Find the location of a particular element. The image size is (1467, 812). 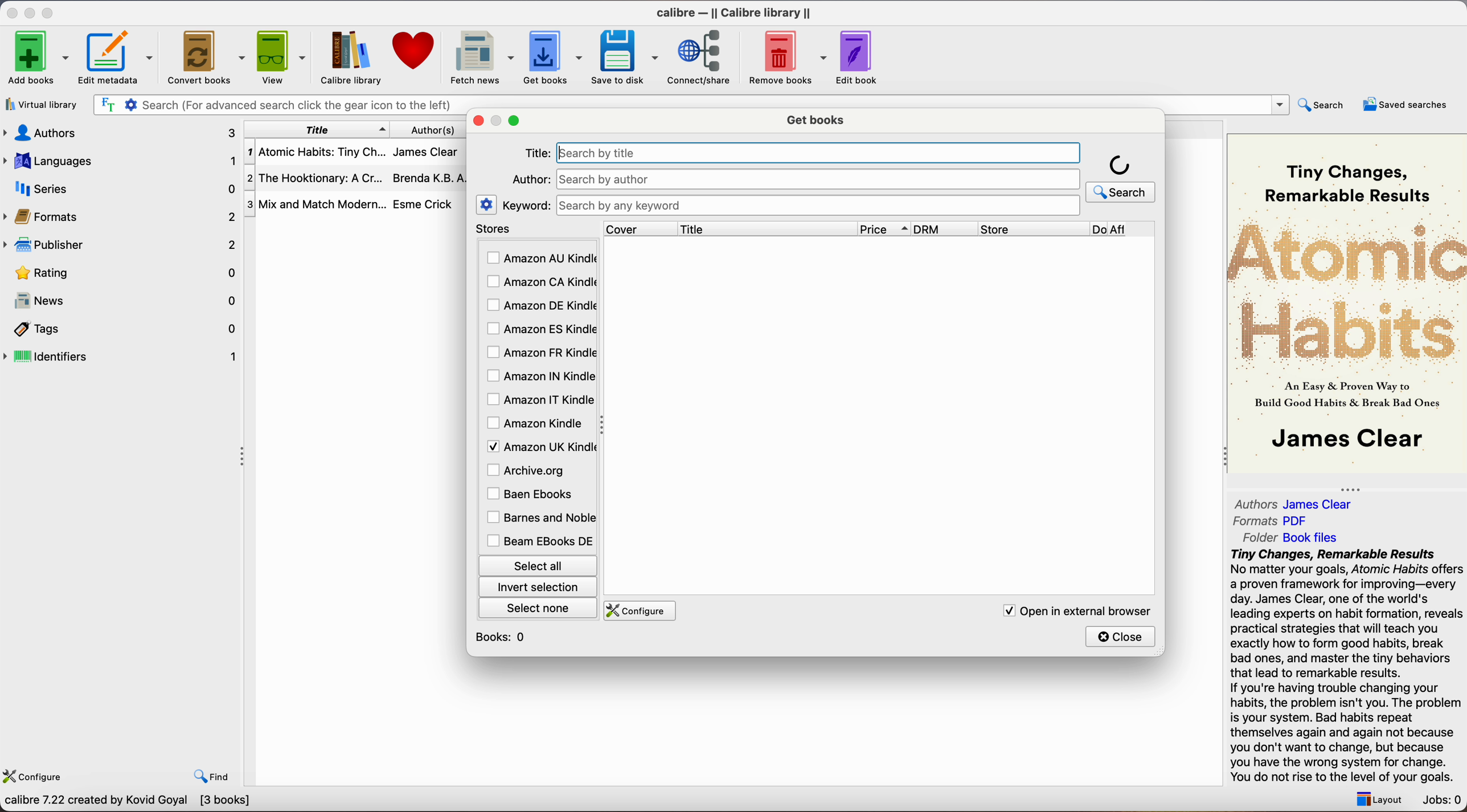

settings is located at coordinates (487, 204).